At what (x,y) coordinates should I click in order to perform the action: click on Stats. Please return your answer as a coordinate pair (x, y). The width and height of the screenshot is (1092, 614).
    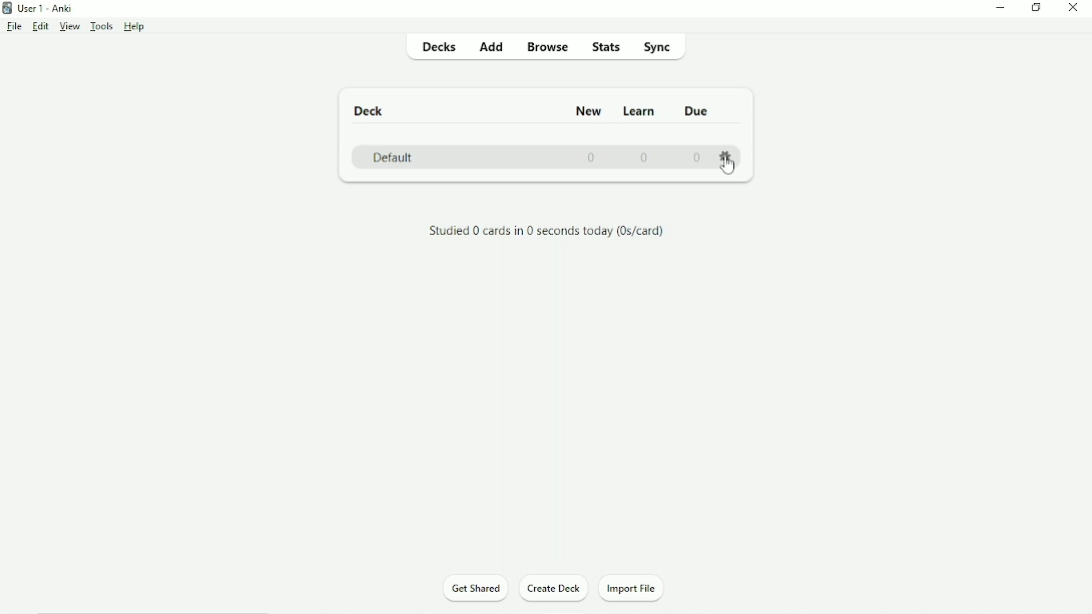
    Looking at the image, I should click on (607, 46).